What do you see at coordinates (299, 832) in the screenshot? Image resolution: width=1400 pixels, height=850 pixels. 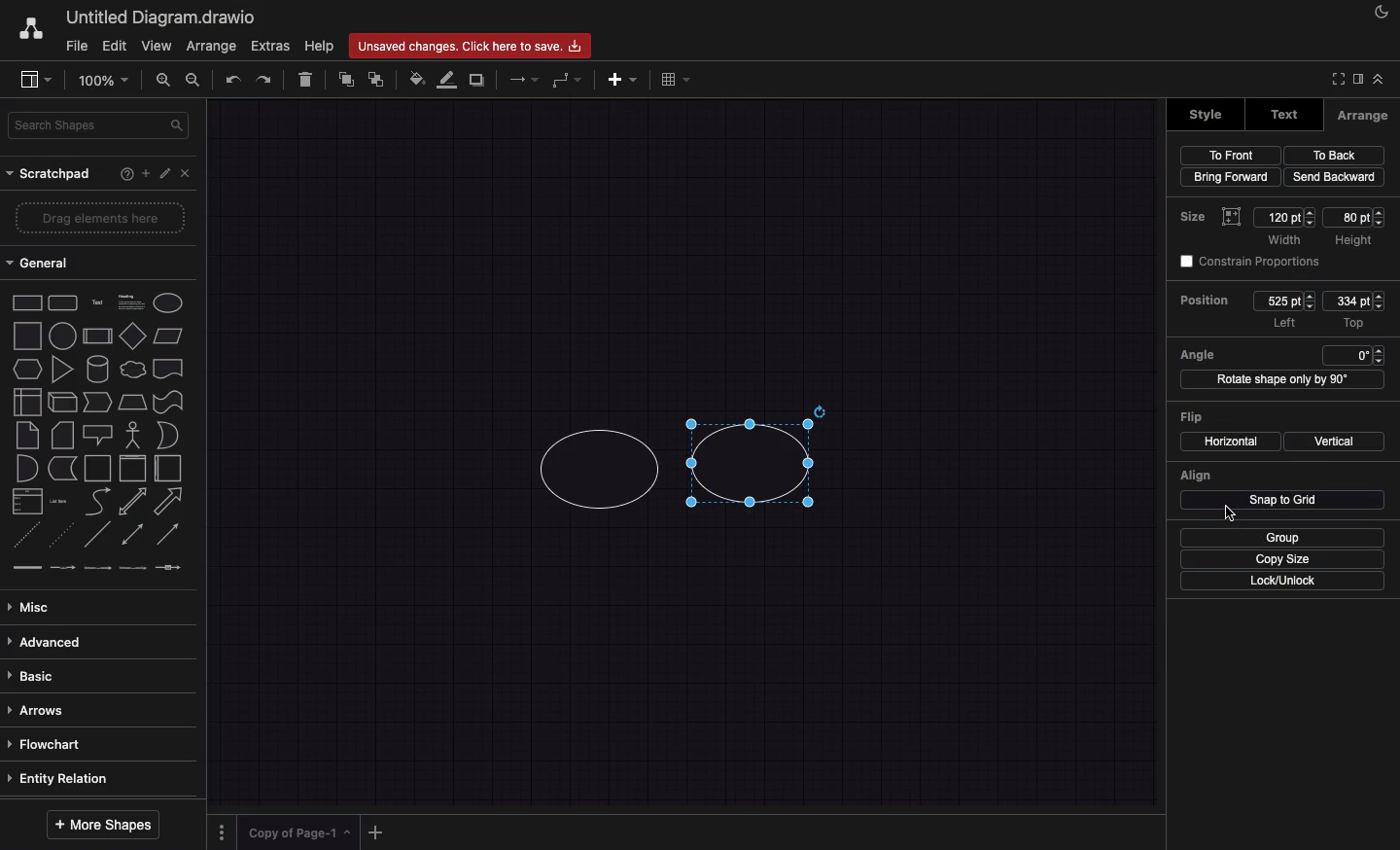 I see `copy of page-1` at bounding box center [299, 832].